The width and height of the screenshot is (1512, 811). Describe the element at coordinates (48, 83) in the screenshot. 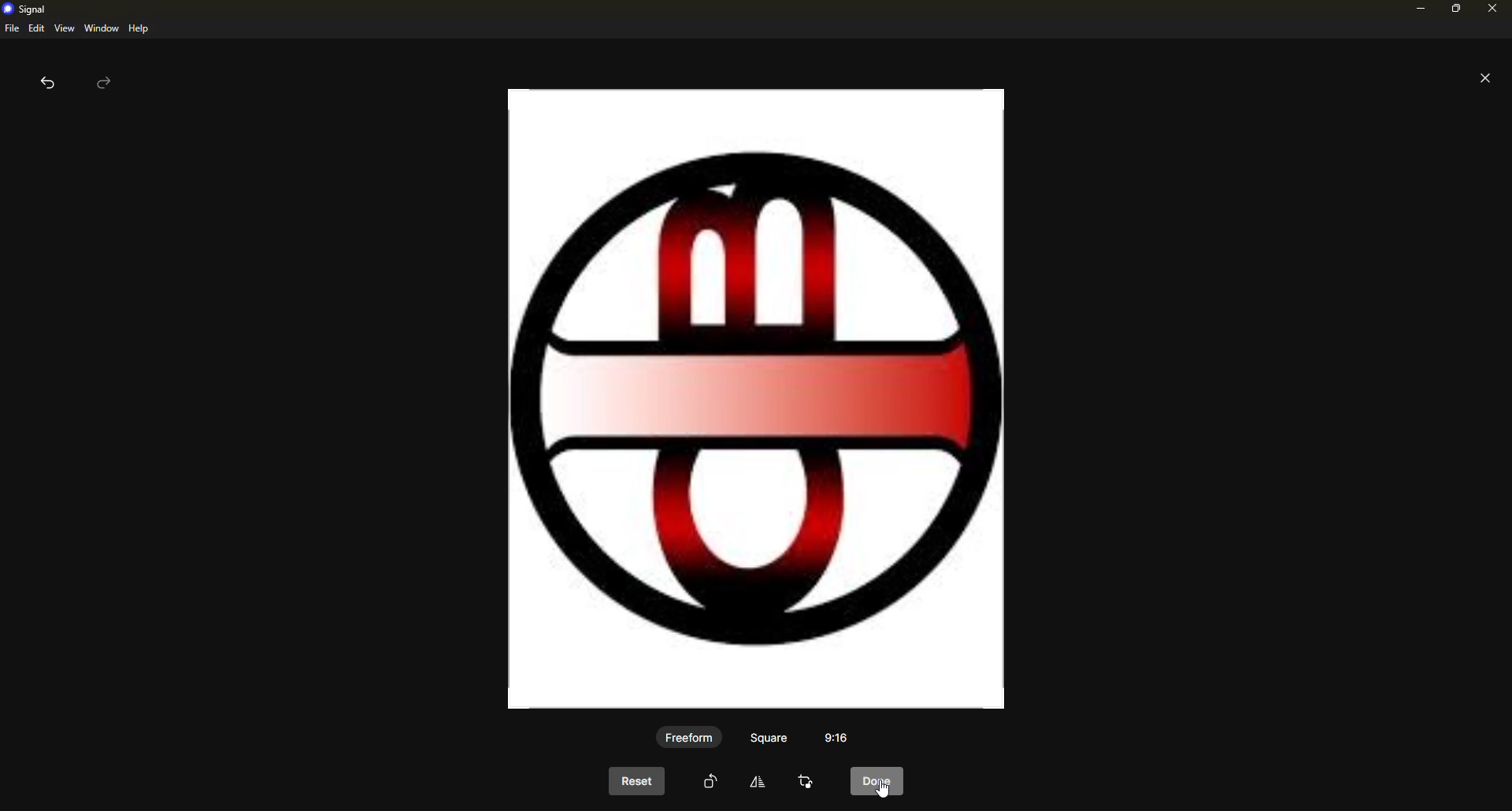

I see `back` at that location.